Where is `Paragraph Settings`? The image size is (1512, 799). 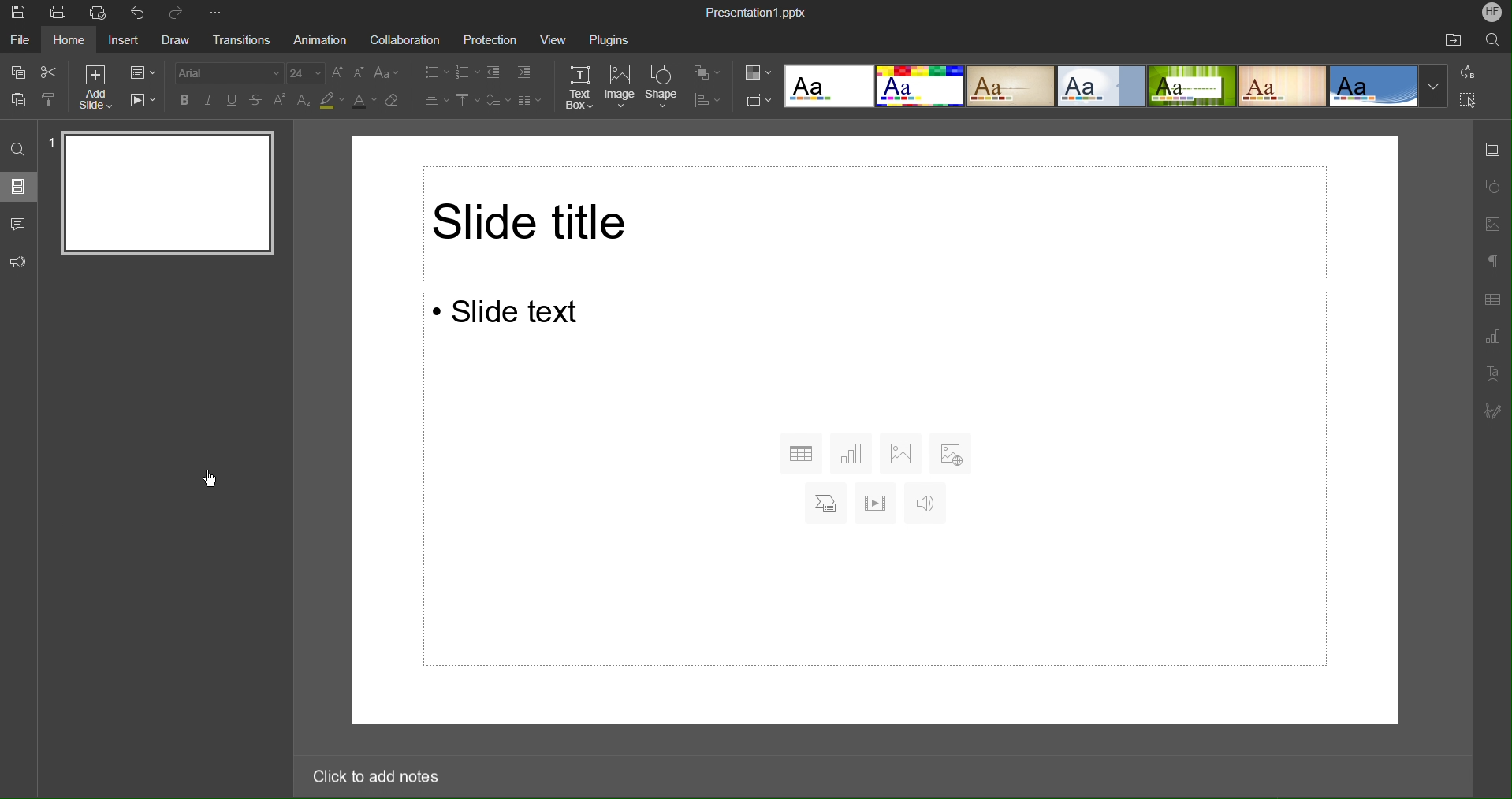 Paragraph Settings is located at coordinates (1491, 262).